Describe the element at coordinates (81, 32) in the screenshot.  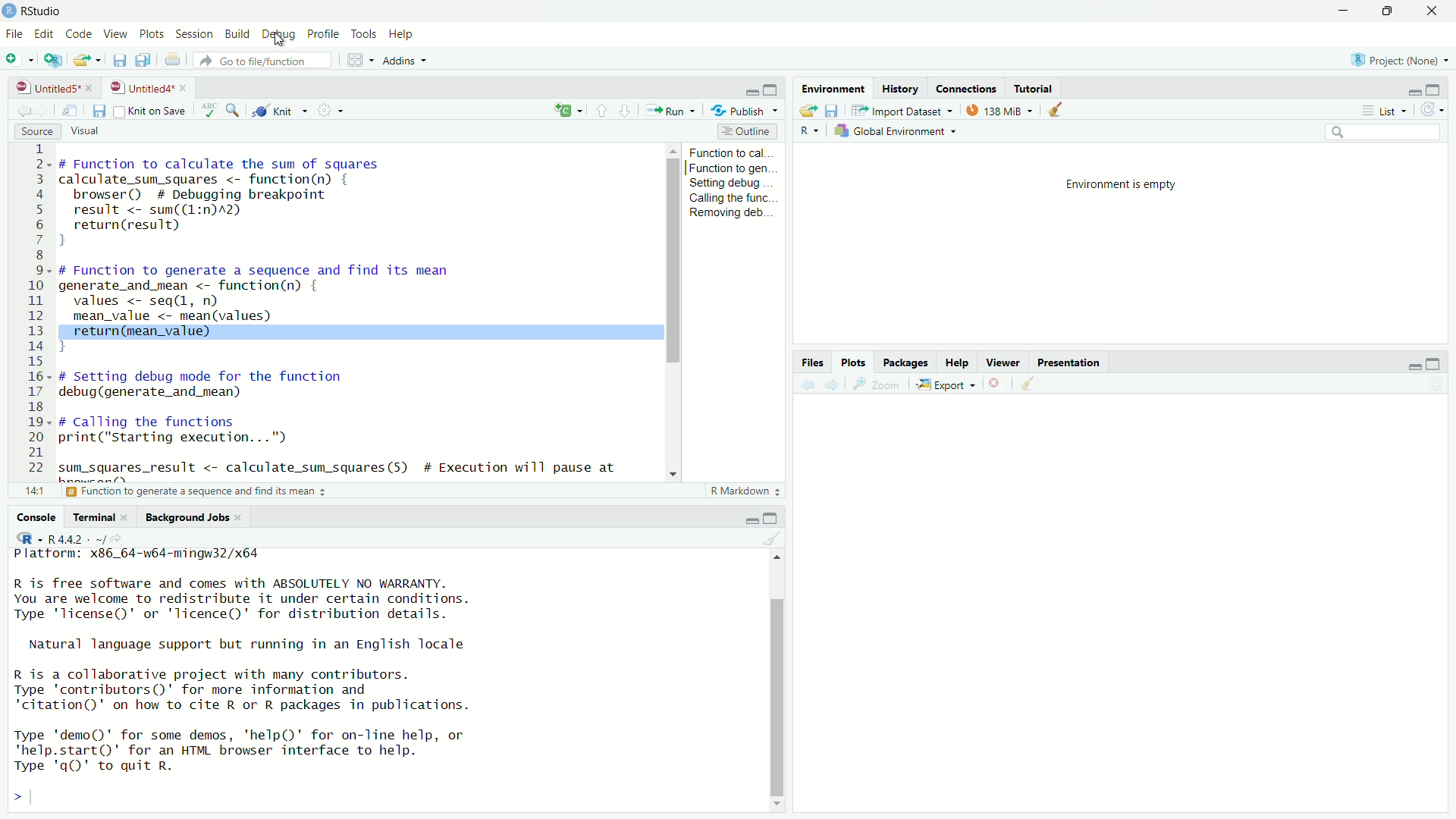
I see `code` at that location.